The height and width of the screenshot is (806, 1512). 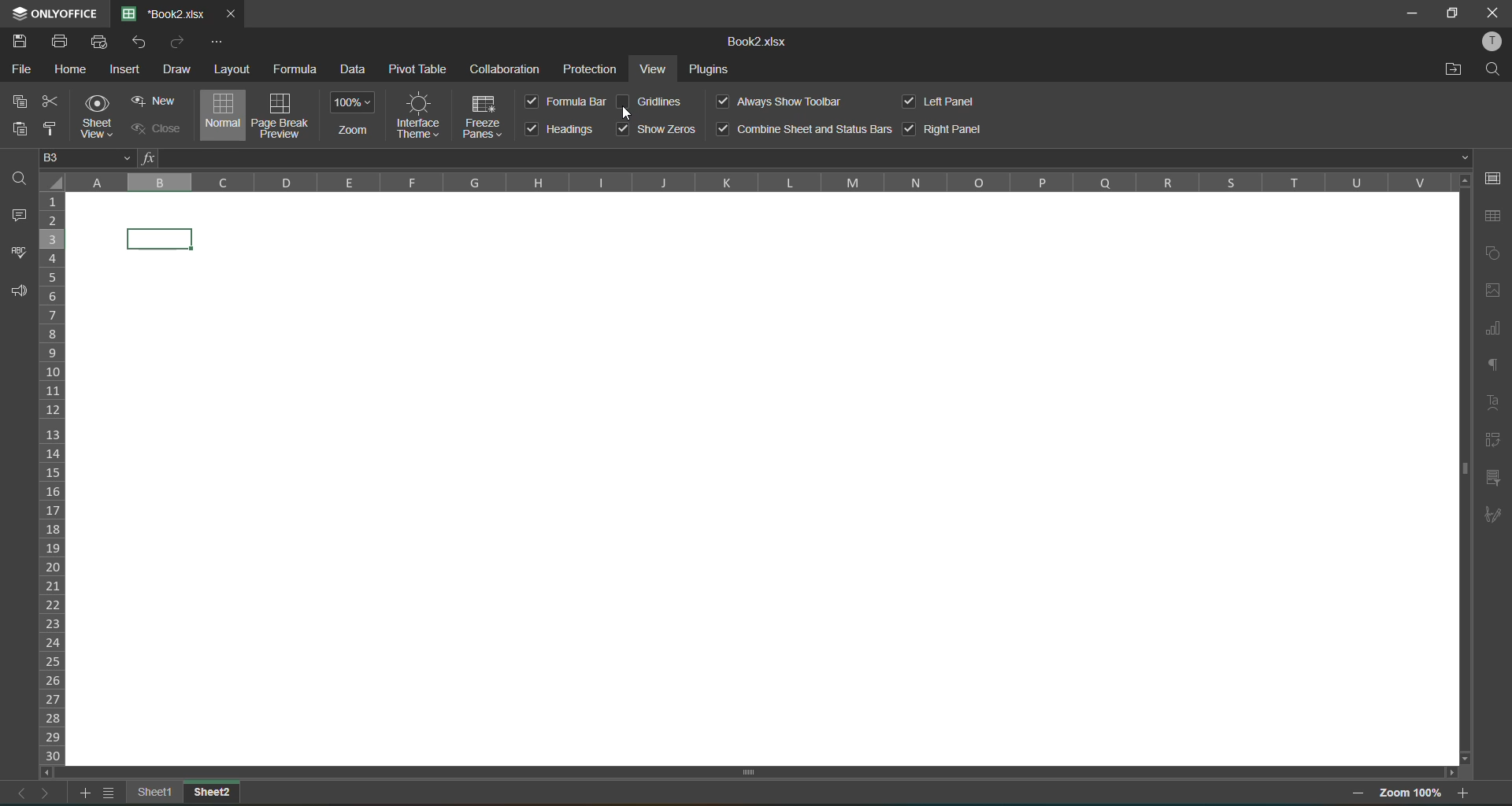 What do you see at coordinates (657, 129) in the screenshot?
I see `show zeros` at bounding box center [657, 129].